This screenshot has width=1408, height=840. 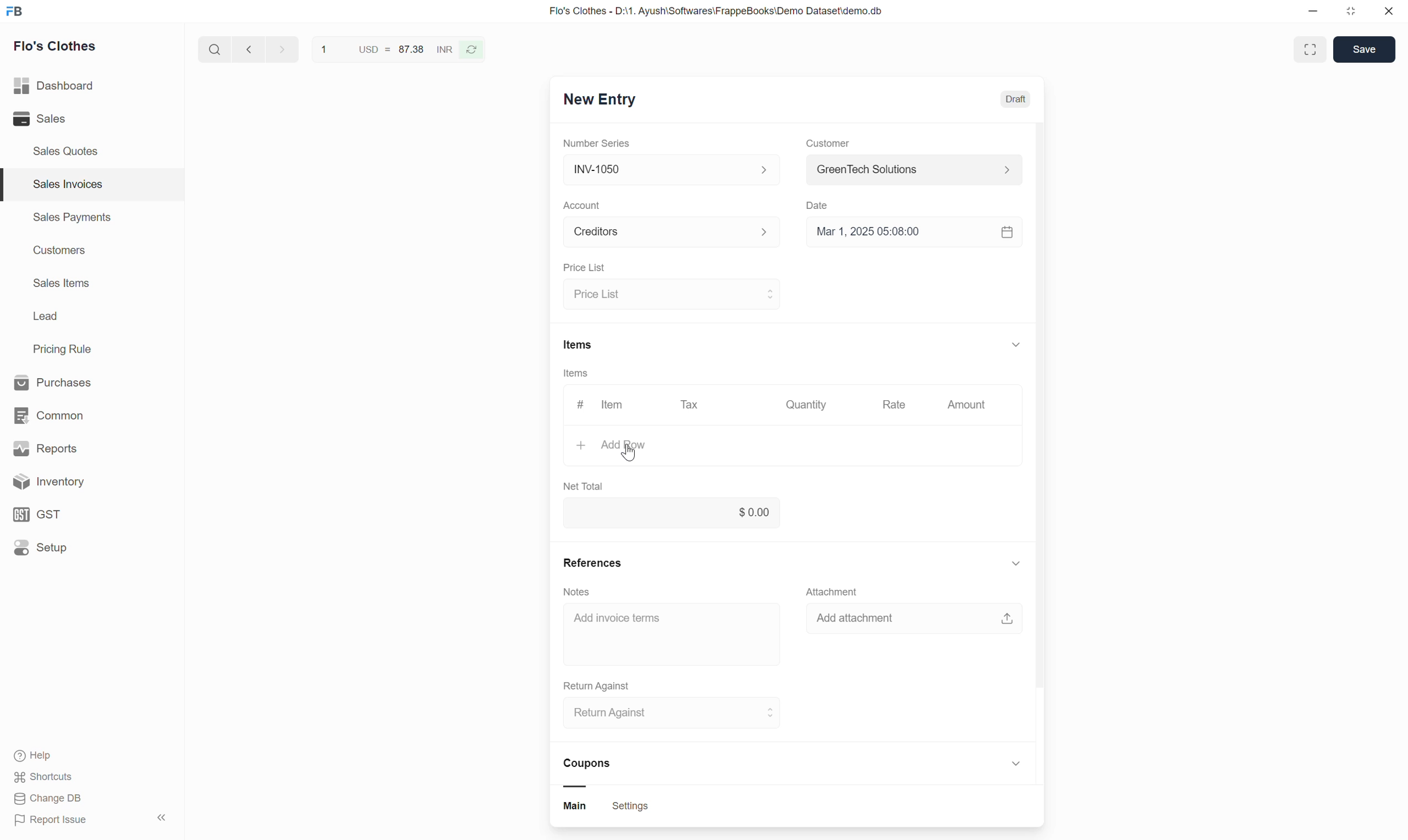 What do you see at coordinates (598, 144) in the screenshot?
I see `Number Series` at bounding box center [598, 144].